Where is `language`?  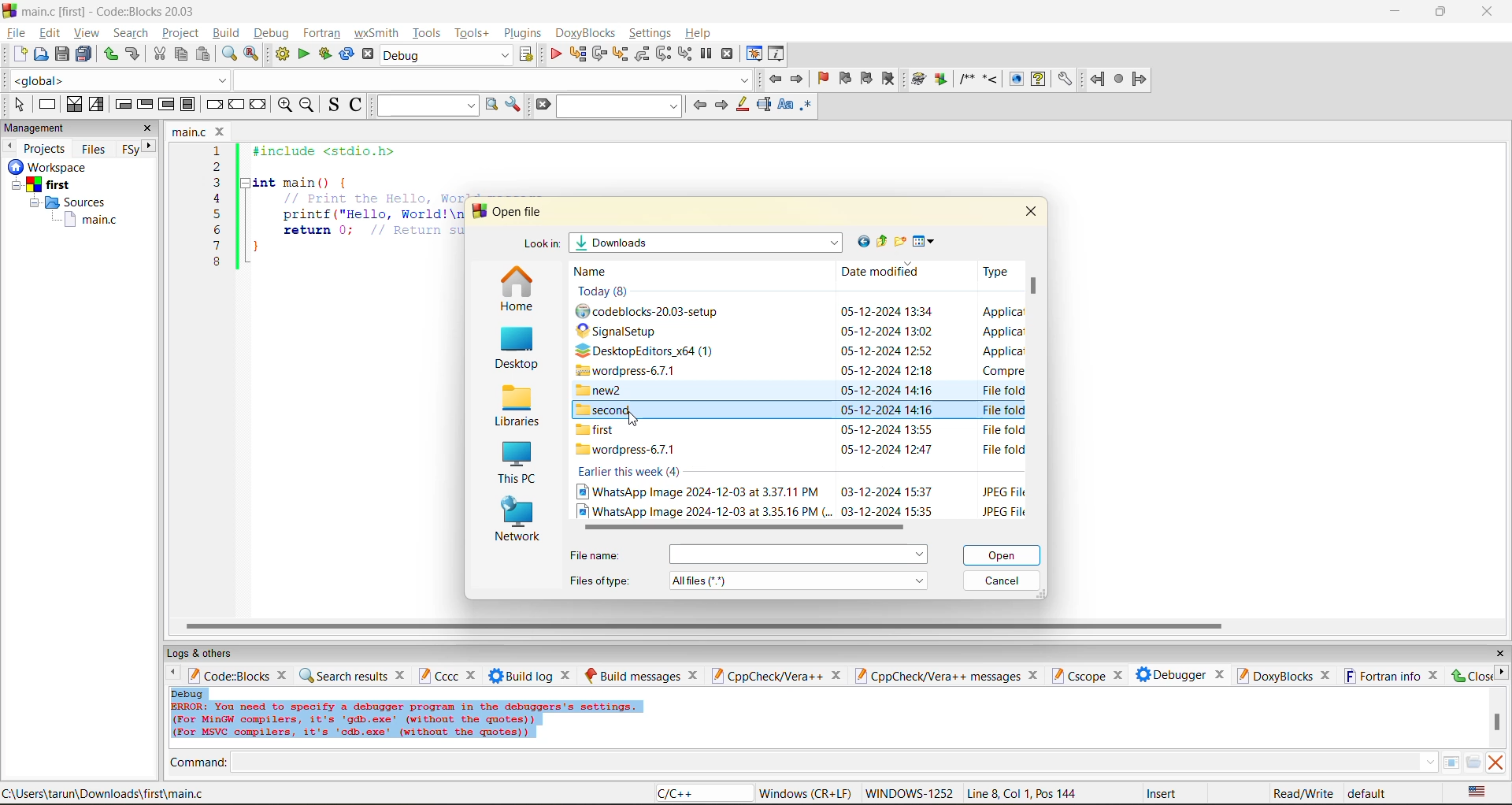 language is located at coordinates (702, 794).